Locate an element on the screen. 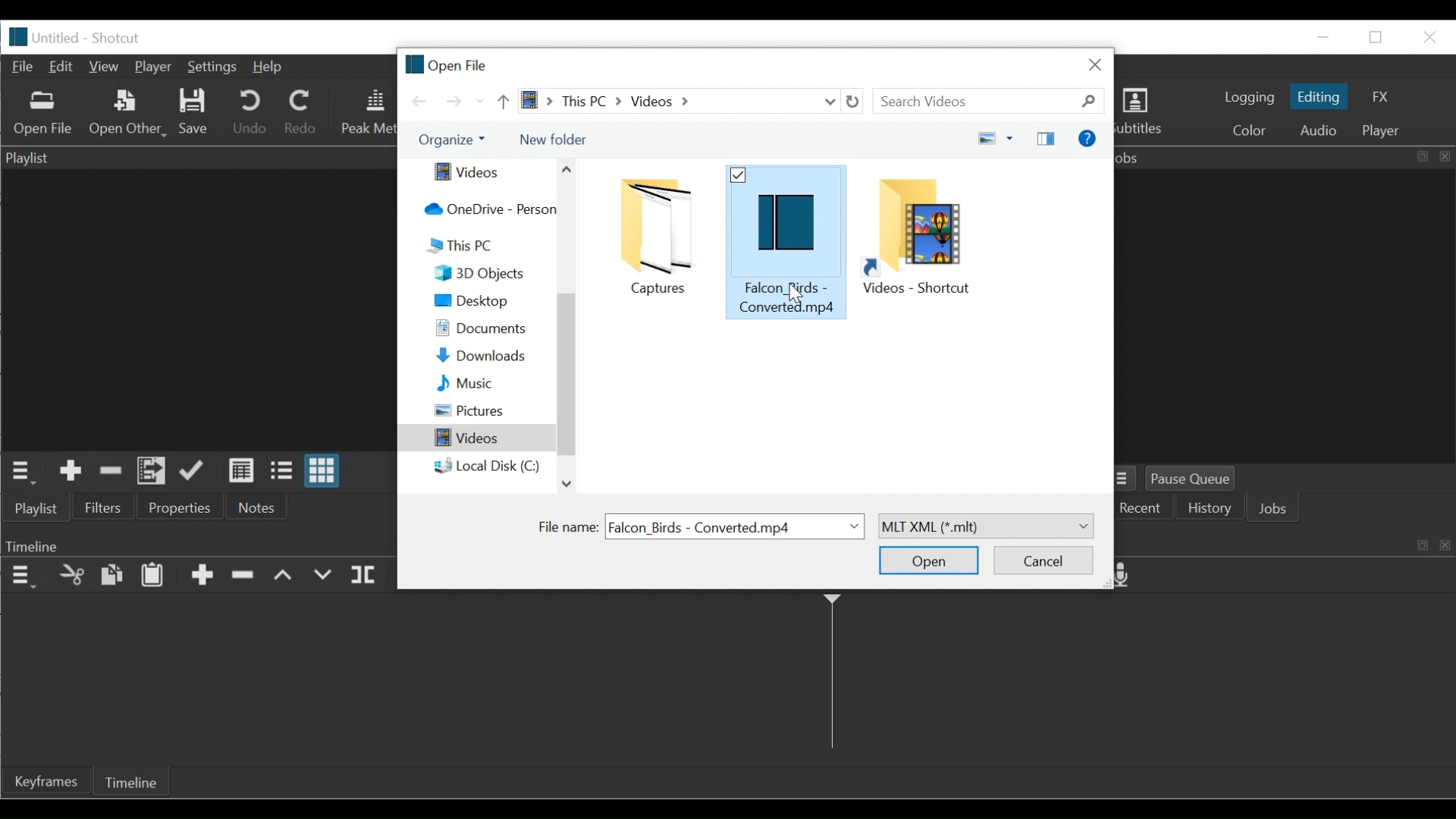  Video Shotcut is located at coordinates (921, 237).